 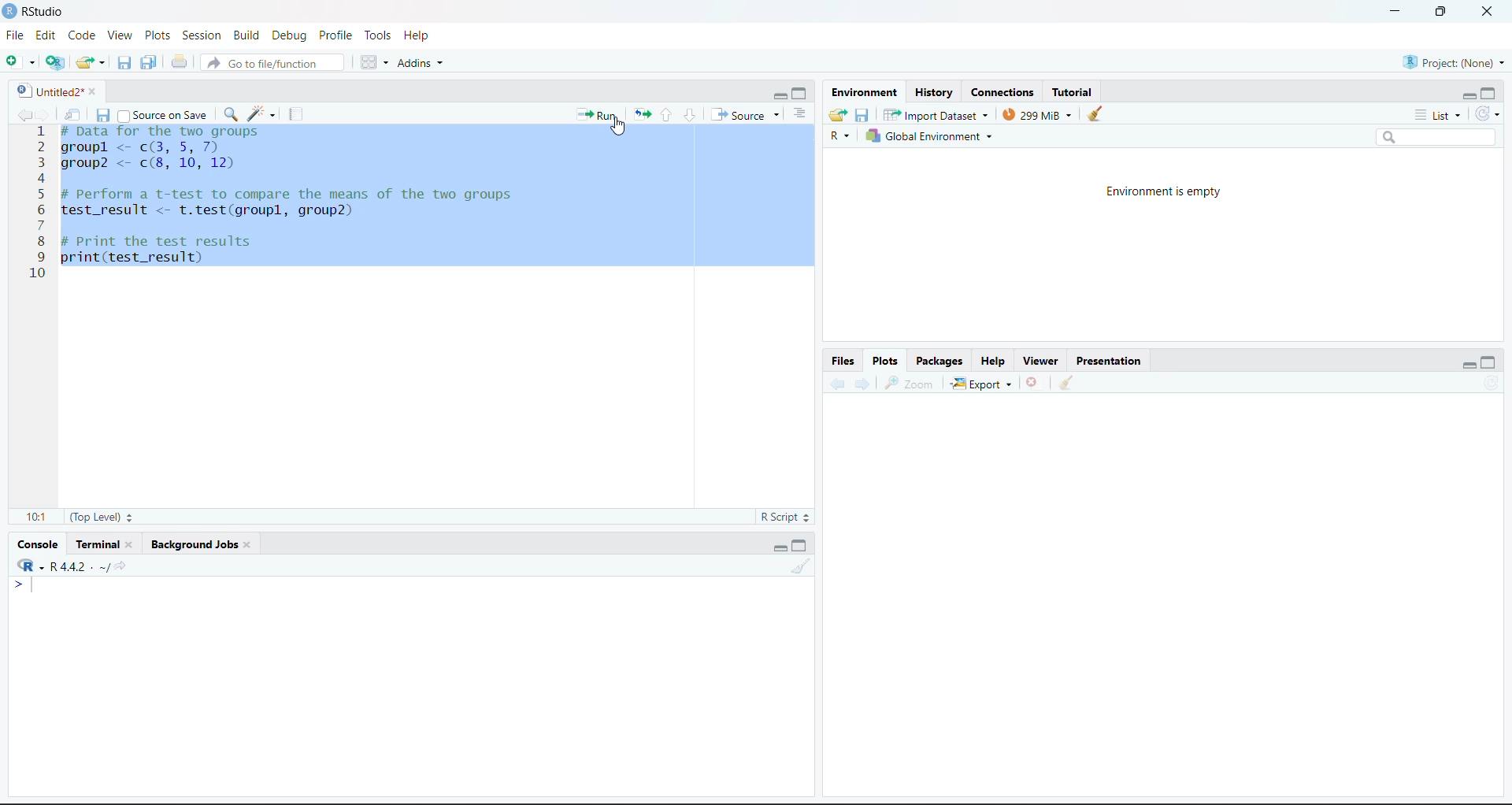 I want to click on save current document, so click(x=105, y=115).